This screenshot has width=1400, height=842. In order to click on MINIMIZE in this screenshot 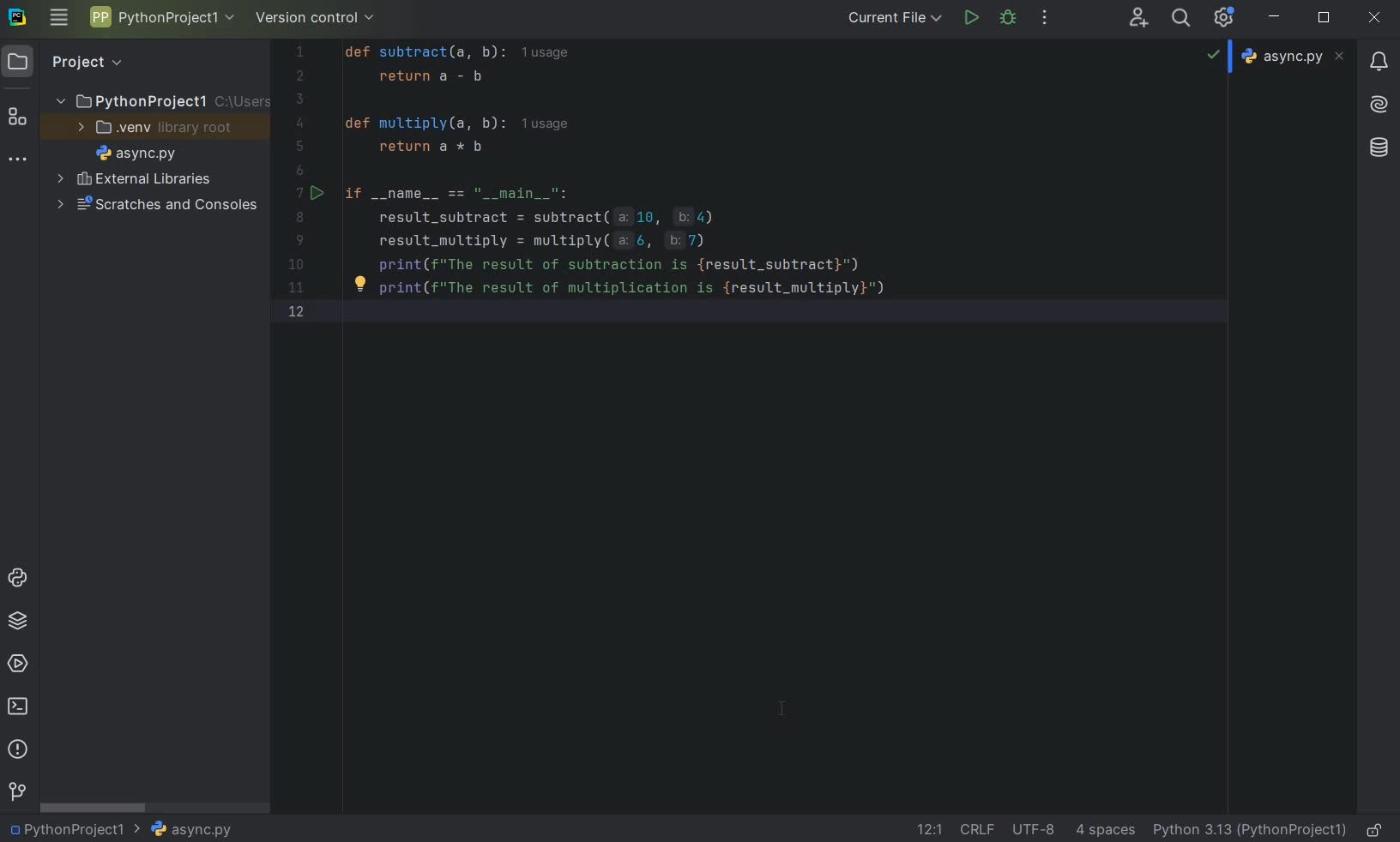, I will do `click(1276, 18)`.